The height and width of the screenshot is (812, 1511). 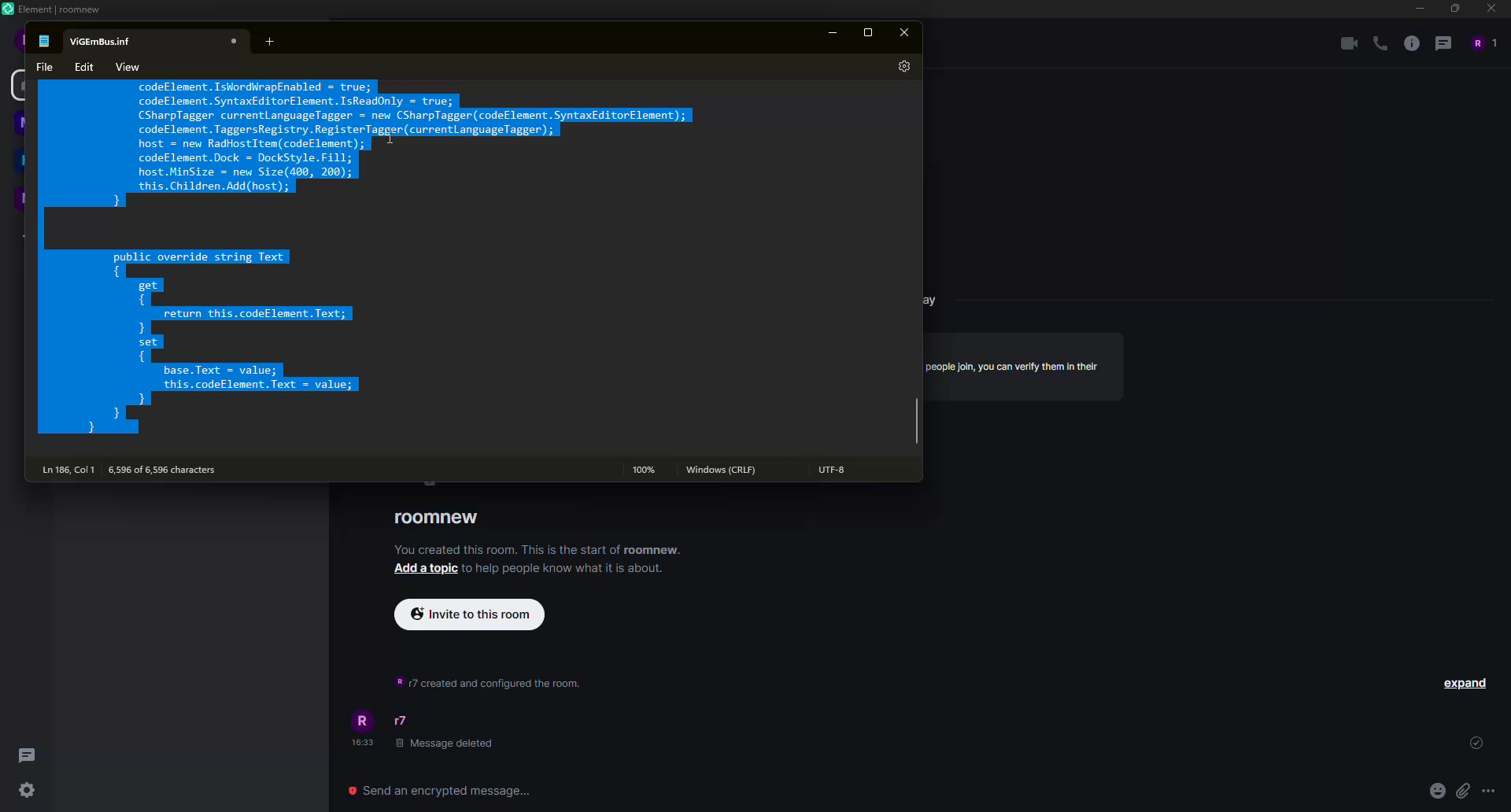 What do you see at coordinates (564, 568) in the screenshot?
I see `info` at bounding box center [564, 568].